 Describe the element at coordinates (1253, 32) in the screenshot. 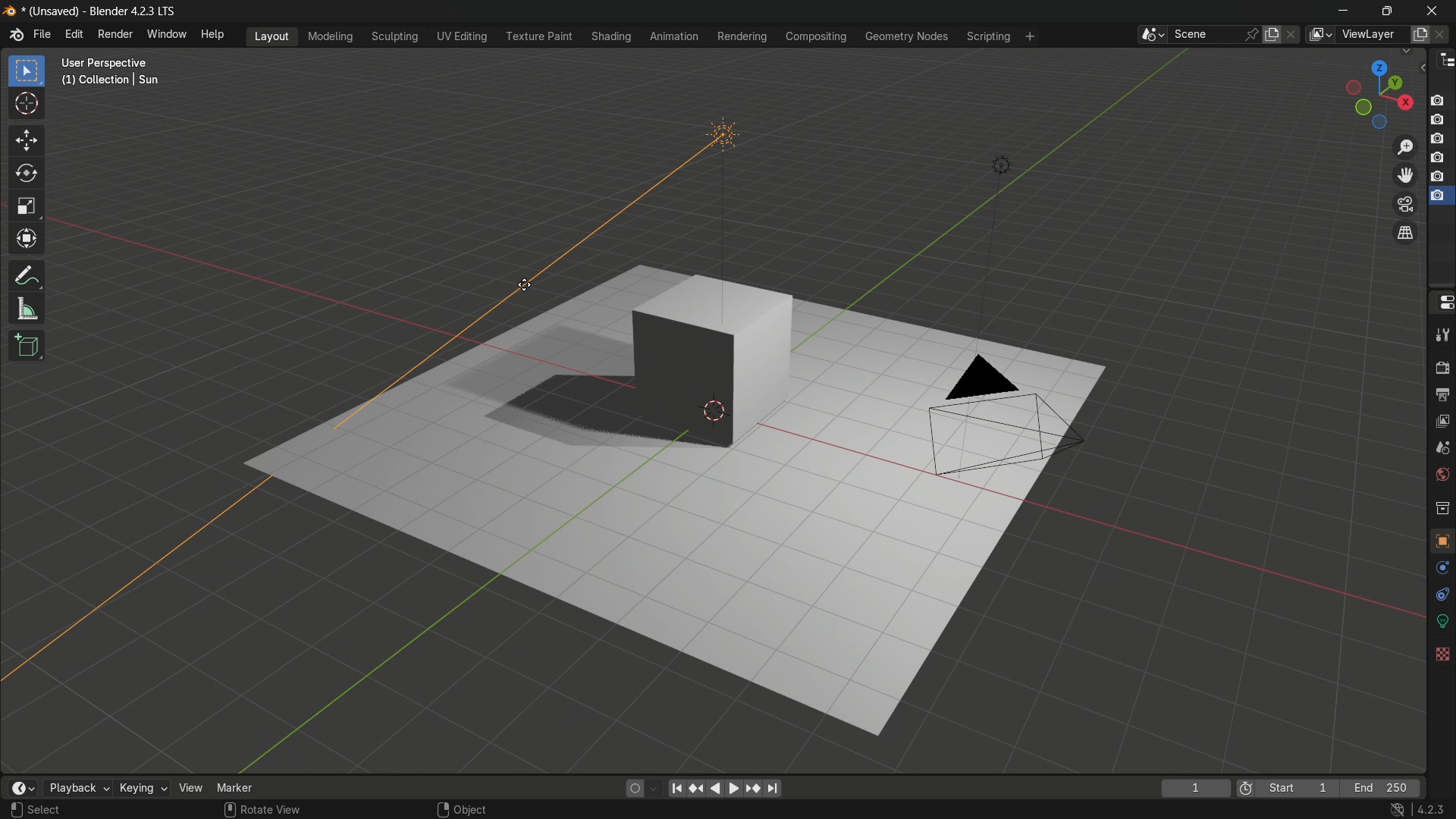

I see `pin scene to workplace` at that location.